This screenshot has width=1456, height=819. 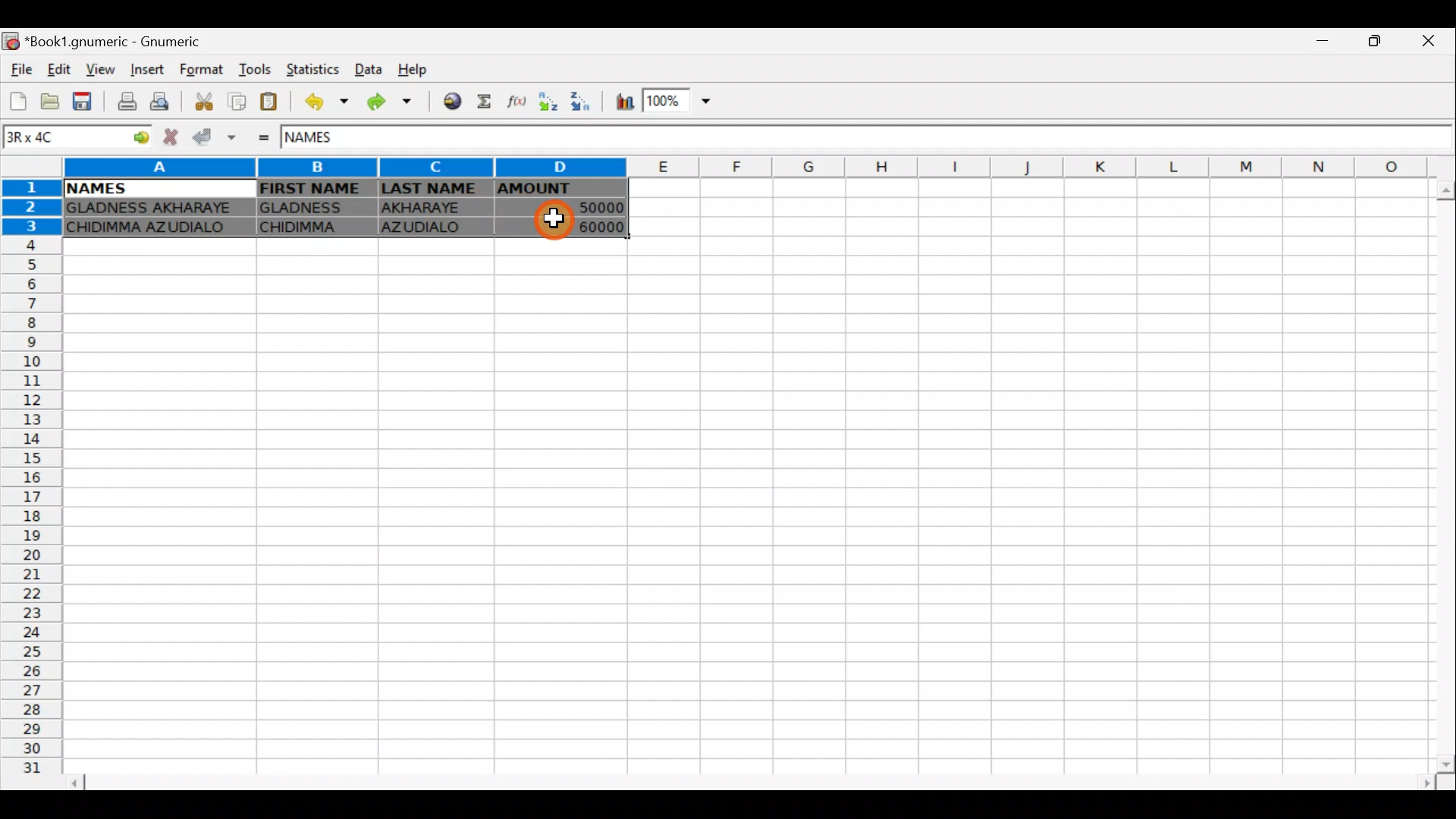 What do you see at coordinates (265, 140) in the screenshot?
I see `Enter formula` at bounding box center [265, 140].